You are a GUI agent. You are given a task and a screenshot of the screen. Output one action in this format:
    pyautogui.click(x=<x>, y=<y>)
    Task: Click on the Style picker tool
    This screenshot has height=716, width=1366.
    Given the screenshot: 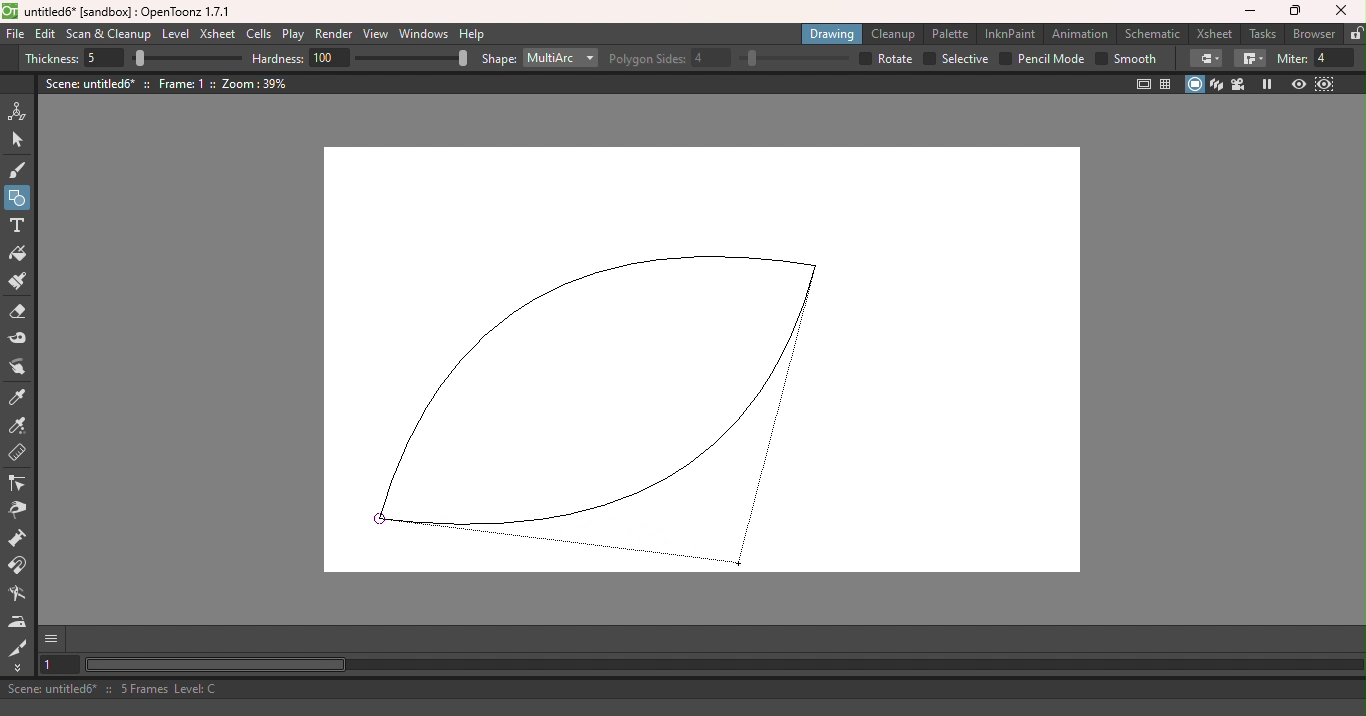 What is the action you would take?
    pyautogui.click(x=21, y=398)
    